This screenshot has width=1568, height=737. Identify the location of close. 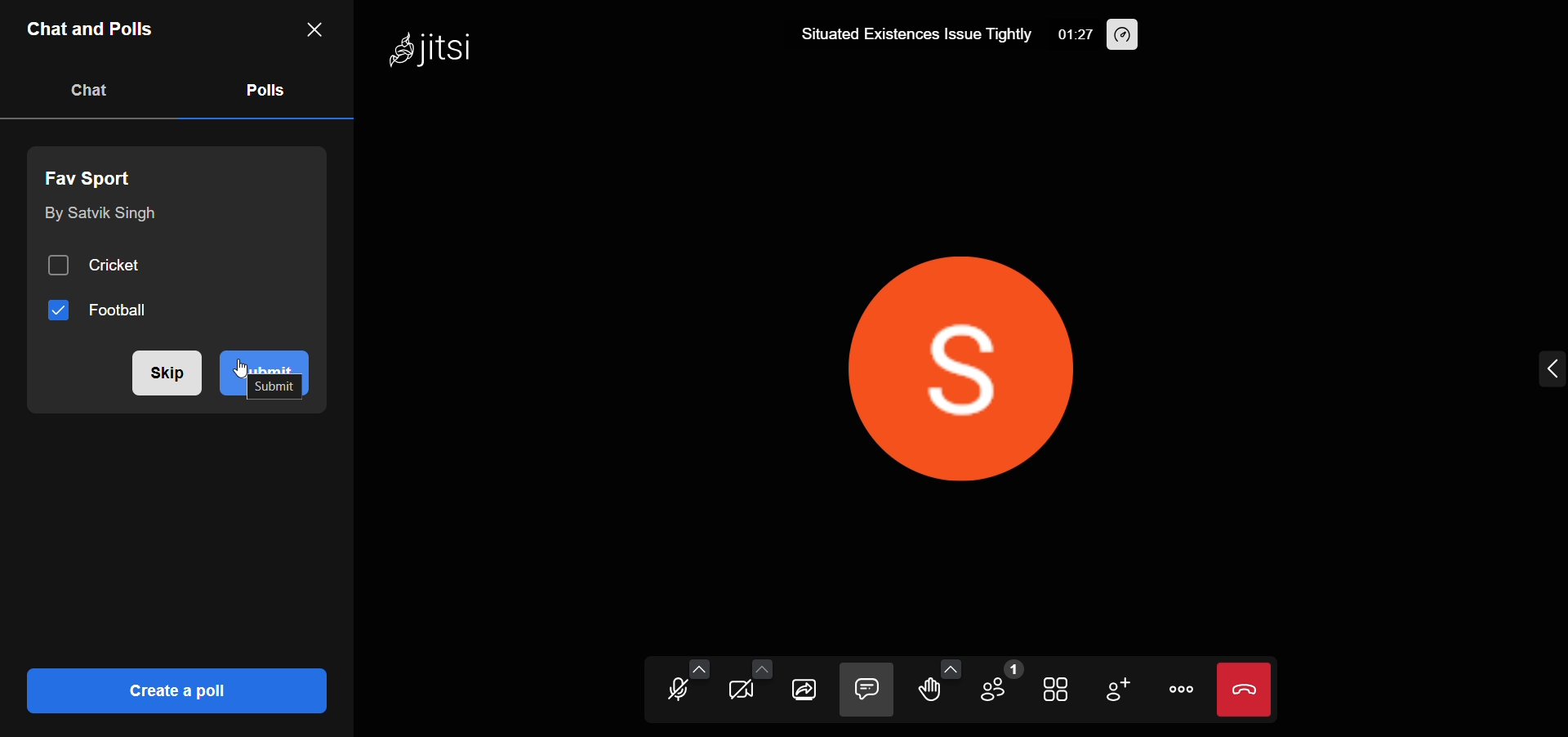
(314, 30).